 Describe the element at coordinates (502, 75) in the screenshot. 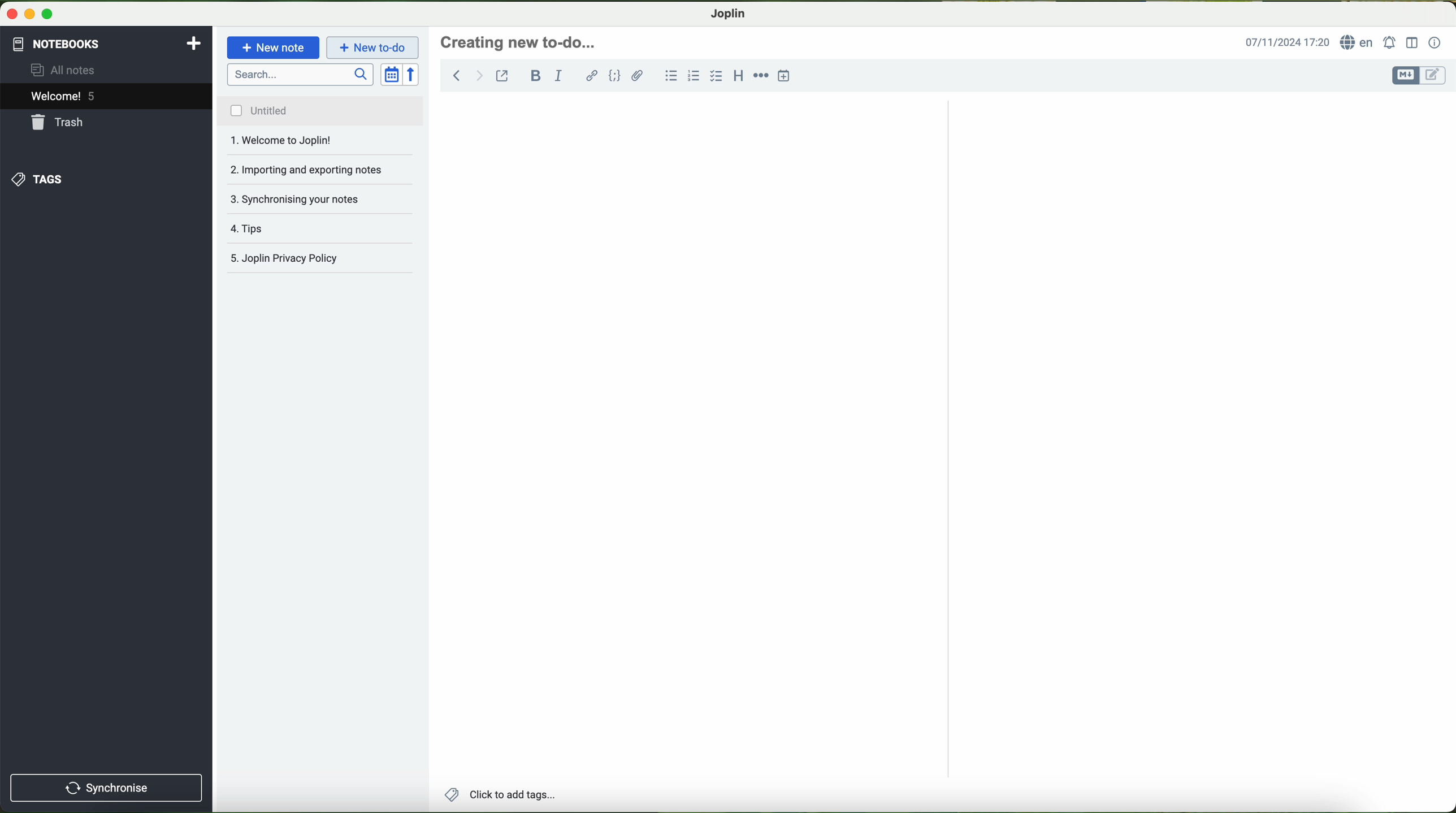

I see `toggle external editing` at that location.